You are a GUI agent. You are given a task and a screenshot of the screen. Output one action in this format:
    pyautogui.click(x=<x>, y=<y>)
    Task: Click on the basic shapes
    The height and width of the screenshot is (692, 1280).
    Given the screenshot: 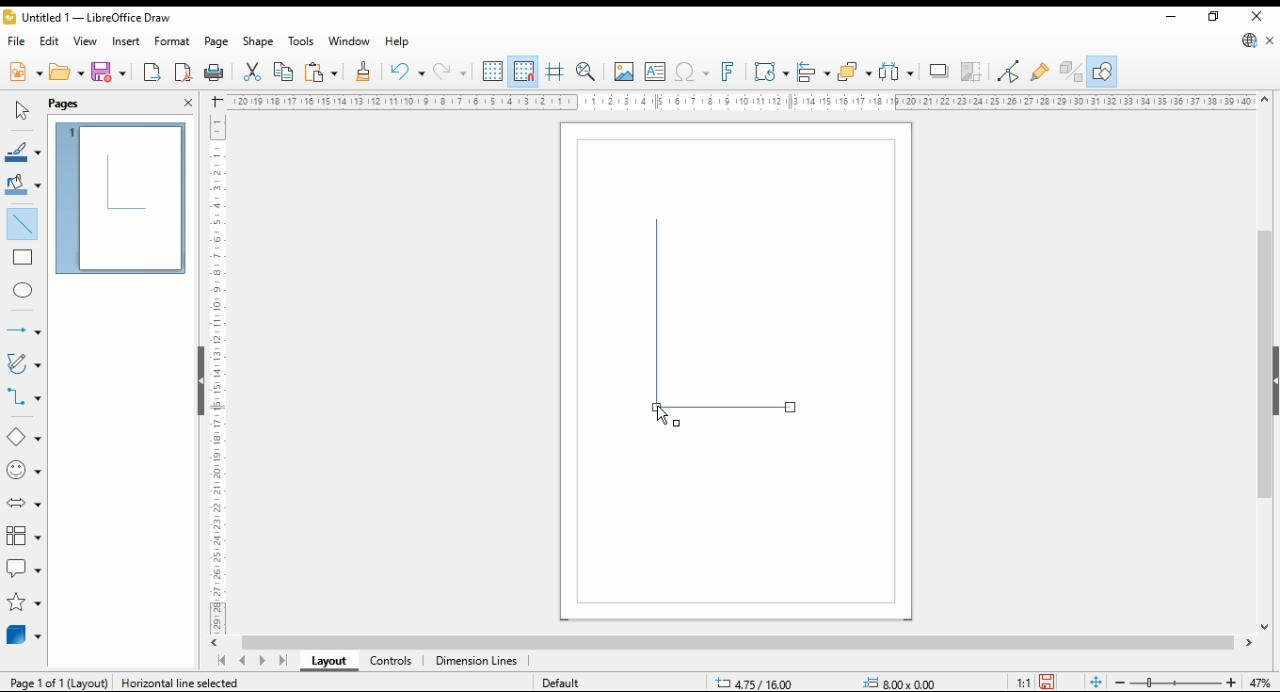 What is the action you would take?
    pyautogui.click(x=22, y=437)
    